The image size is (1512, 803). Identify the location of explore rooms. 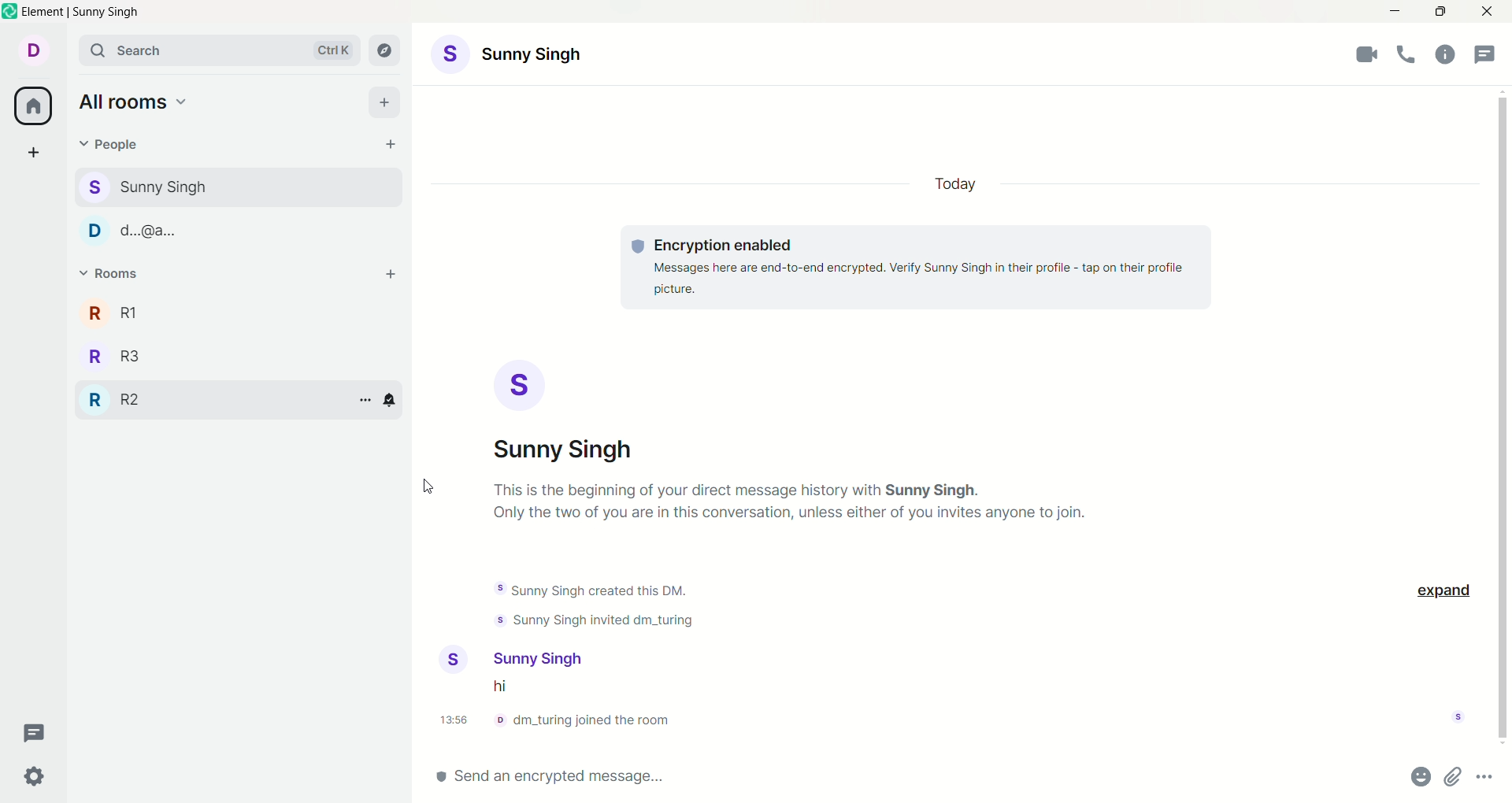
(388, 50).